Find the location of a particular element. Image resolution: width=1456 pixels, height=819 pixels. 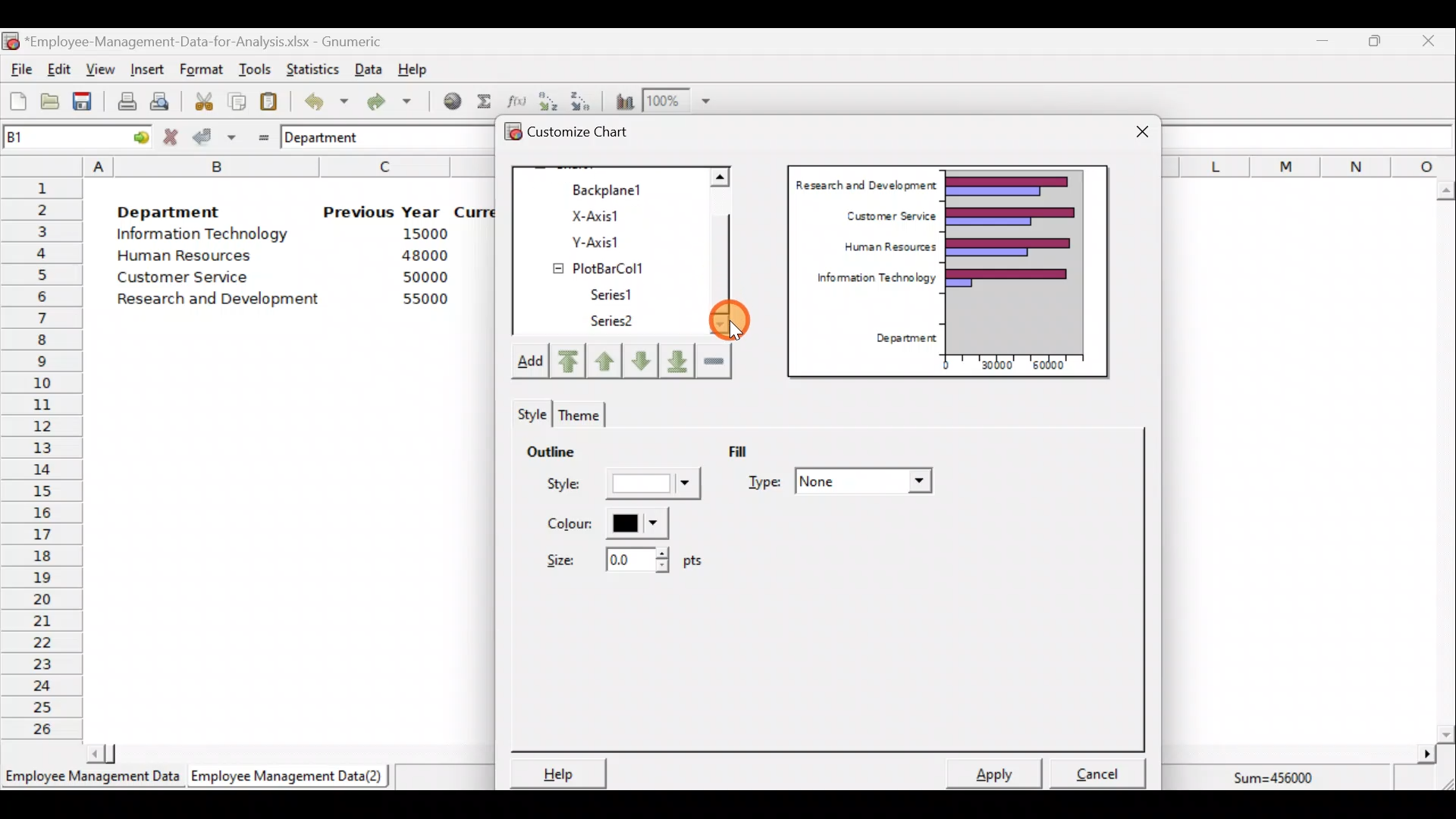

View is located at coordinates (99, 70).